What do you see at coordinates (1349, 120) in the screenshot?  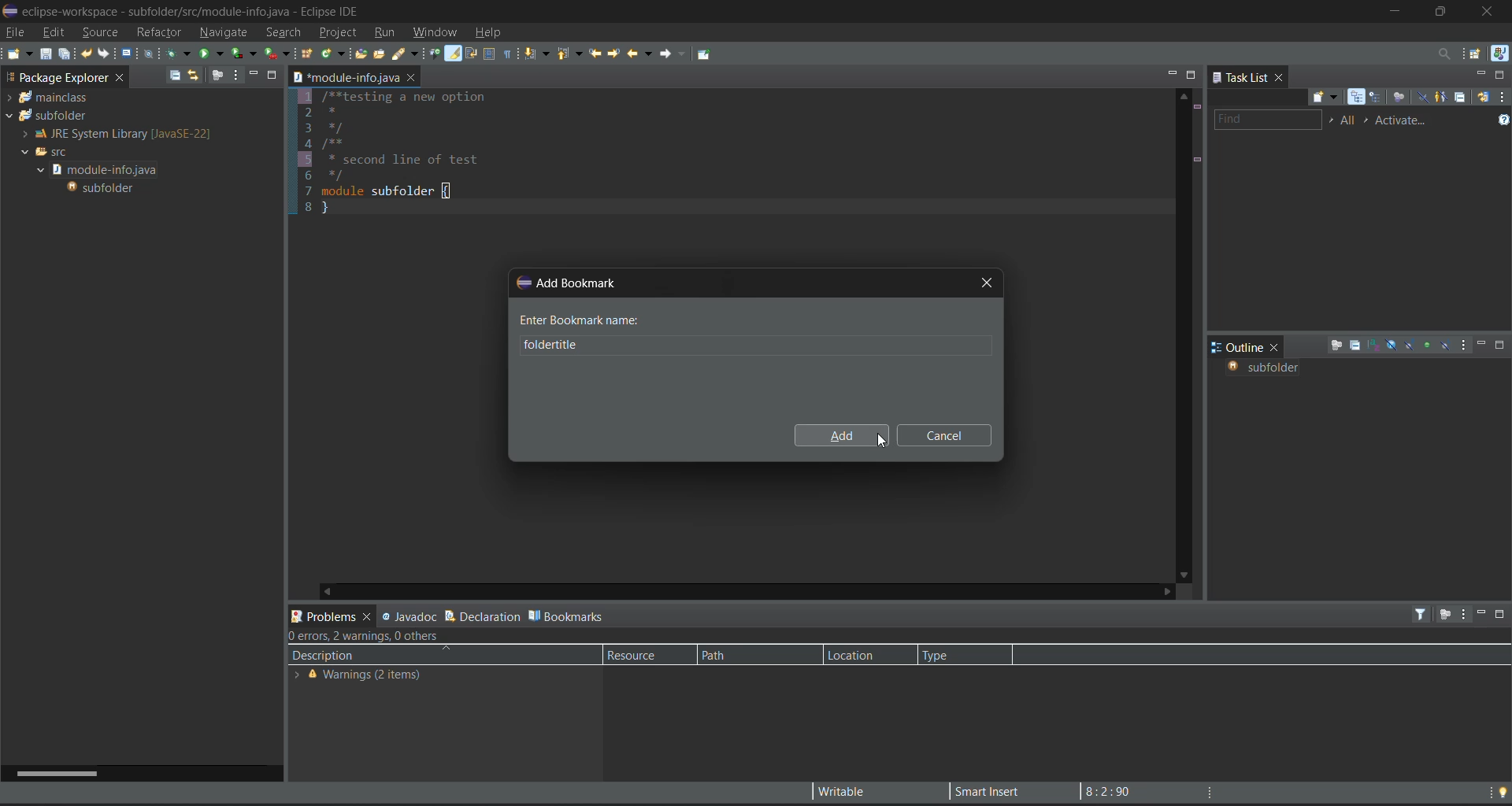 I see `all` at bounding box center [1349, 120].